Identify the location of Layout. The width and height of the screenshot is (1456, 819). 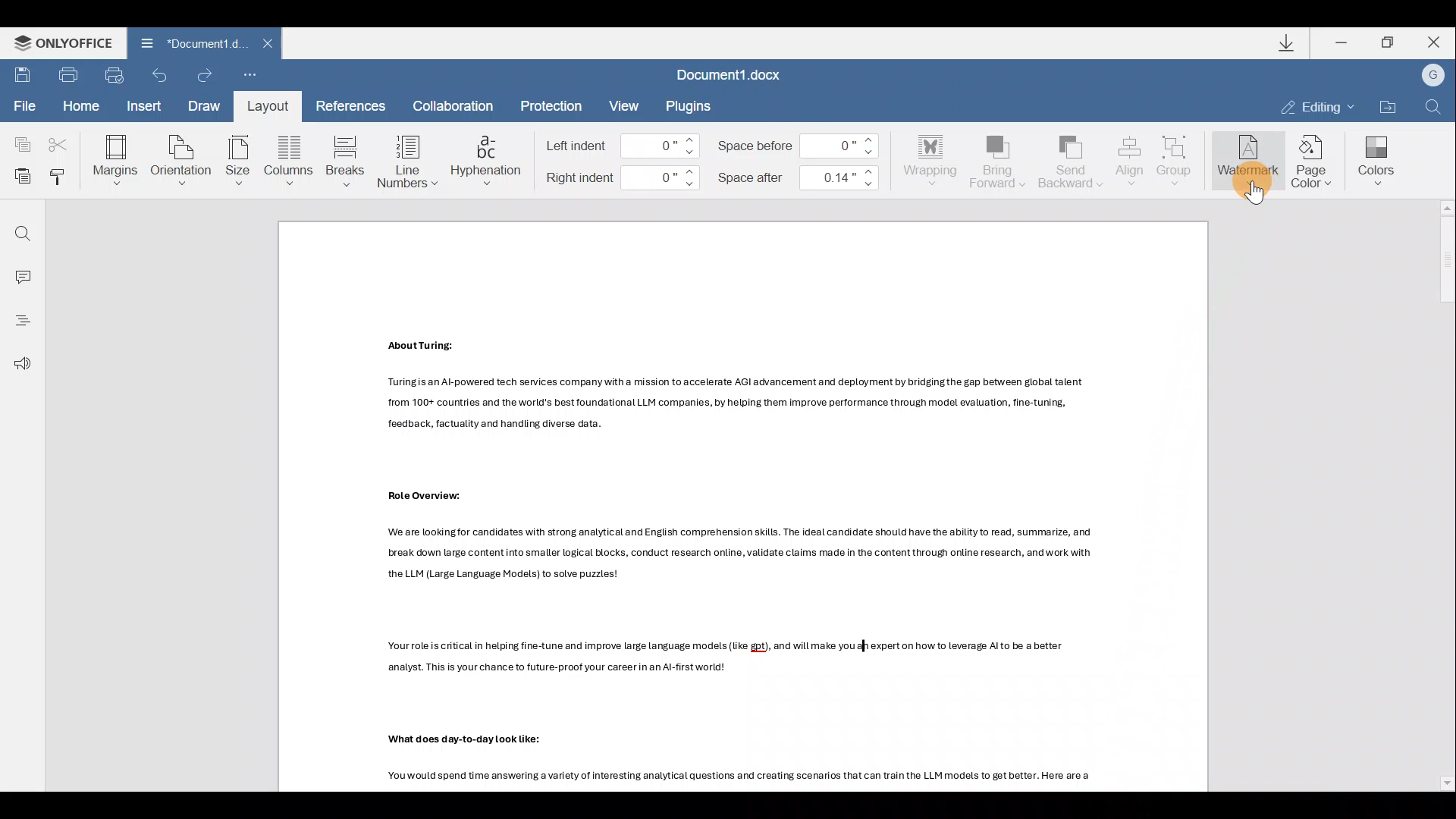
(272, 107).